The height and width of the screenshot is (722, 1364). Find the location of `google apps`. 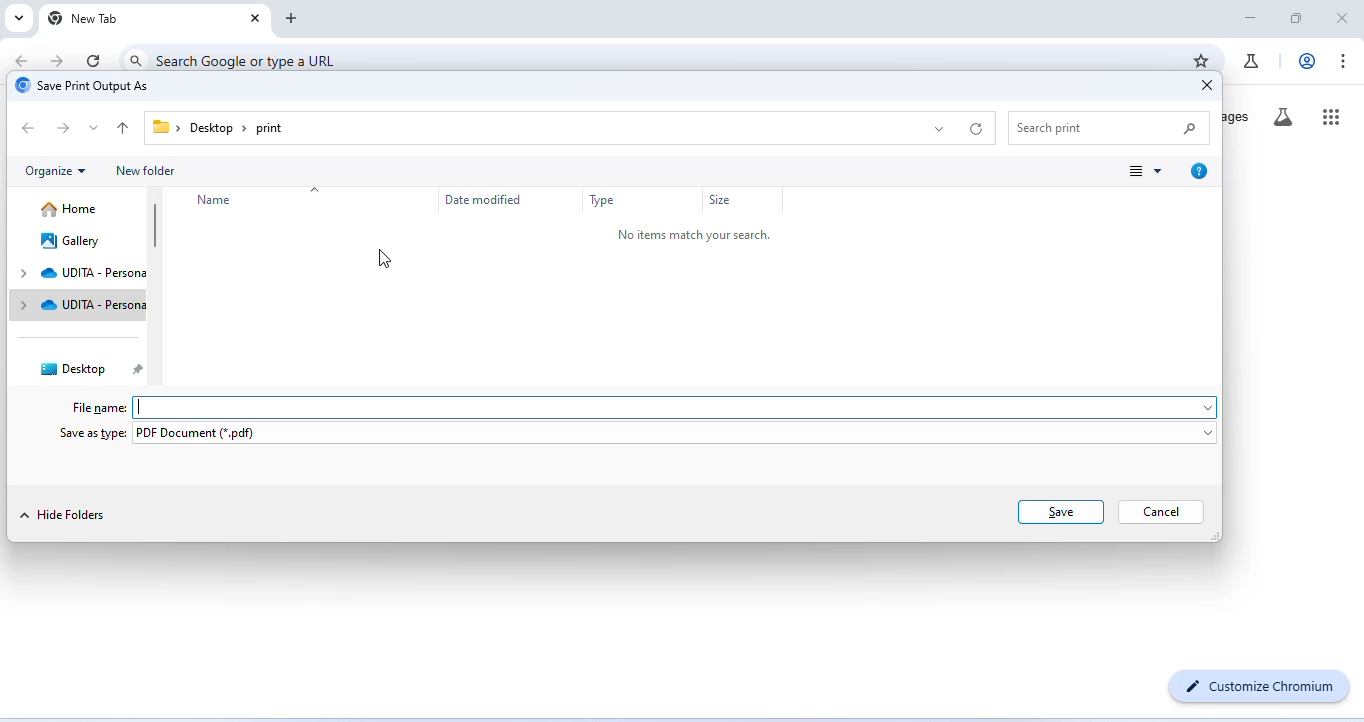

google apps is located at coordinates (1332, 115).